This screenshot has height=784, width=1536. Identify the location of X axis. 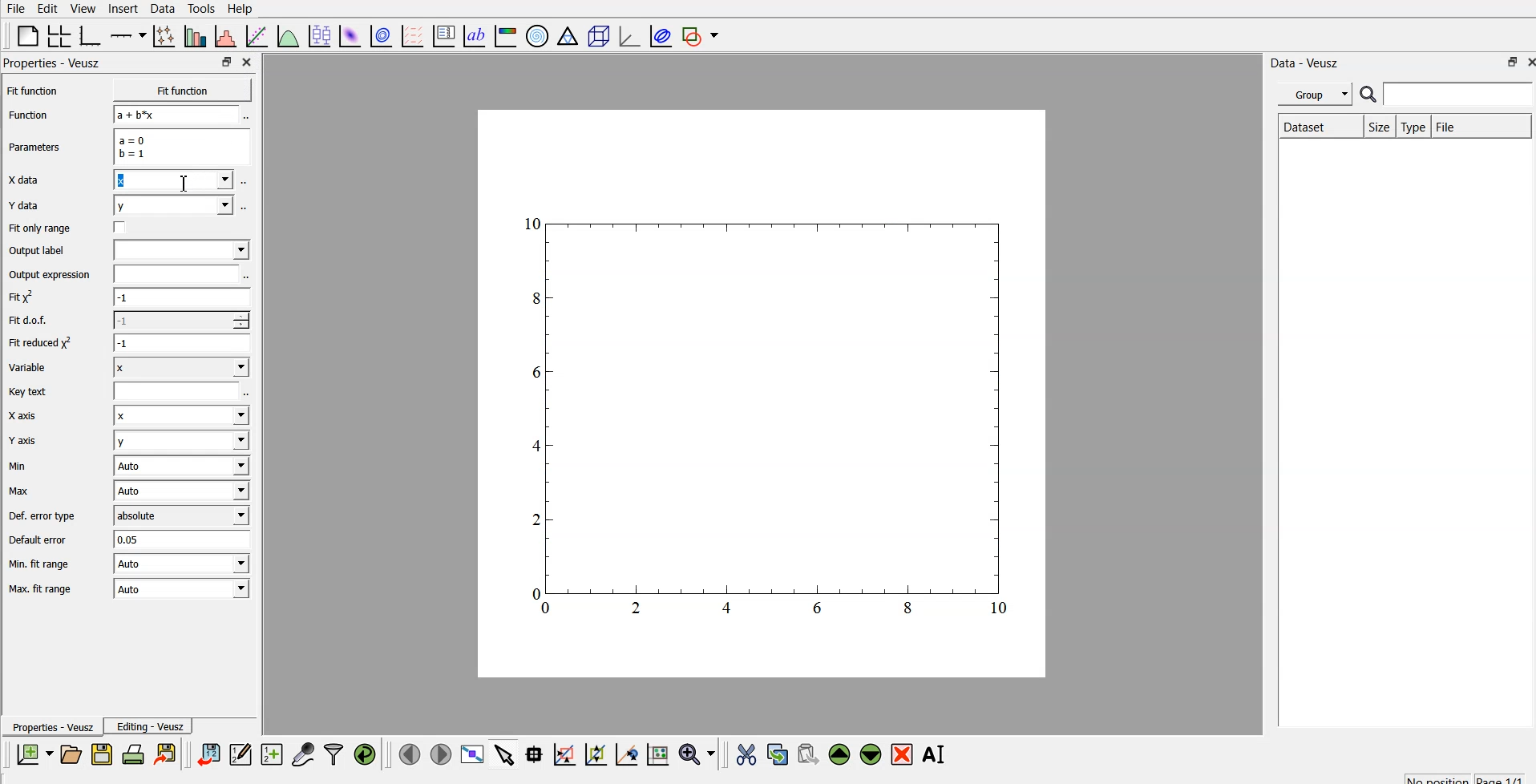
(38, 417).